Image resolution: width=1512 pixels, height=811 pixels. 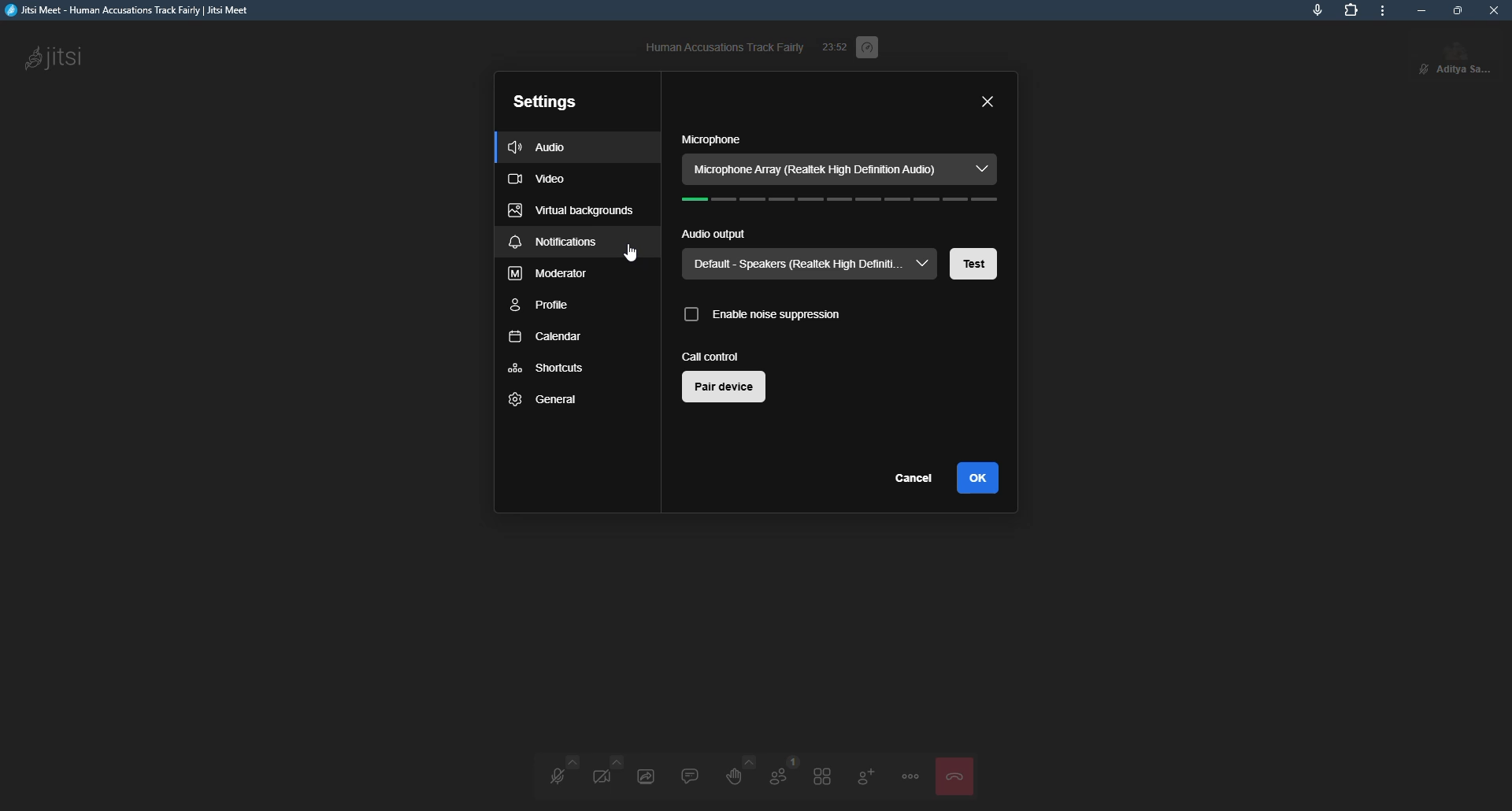 What do you see at coordinates (1458, 10) in the screenshot?
I see `maximize` at bounding box center [1458, 10].